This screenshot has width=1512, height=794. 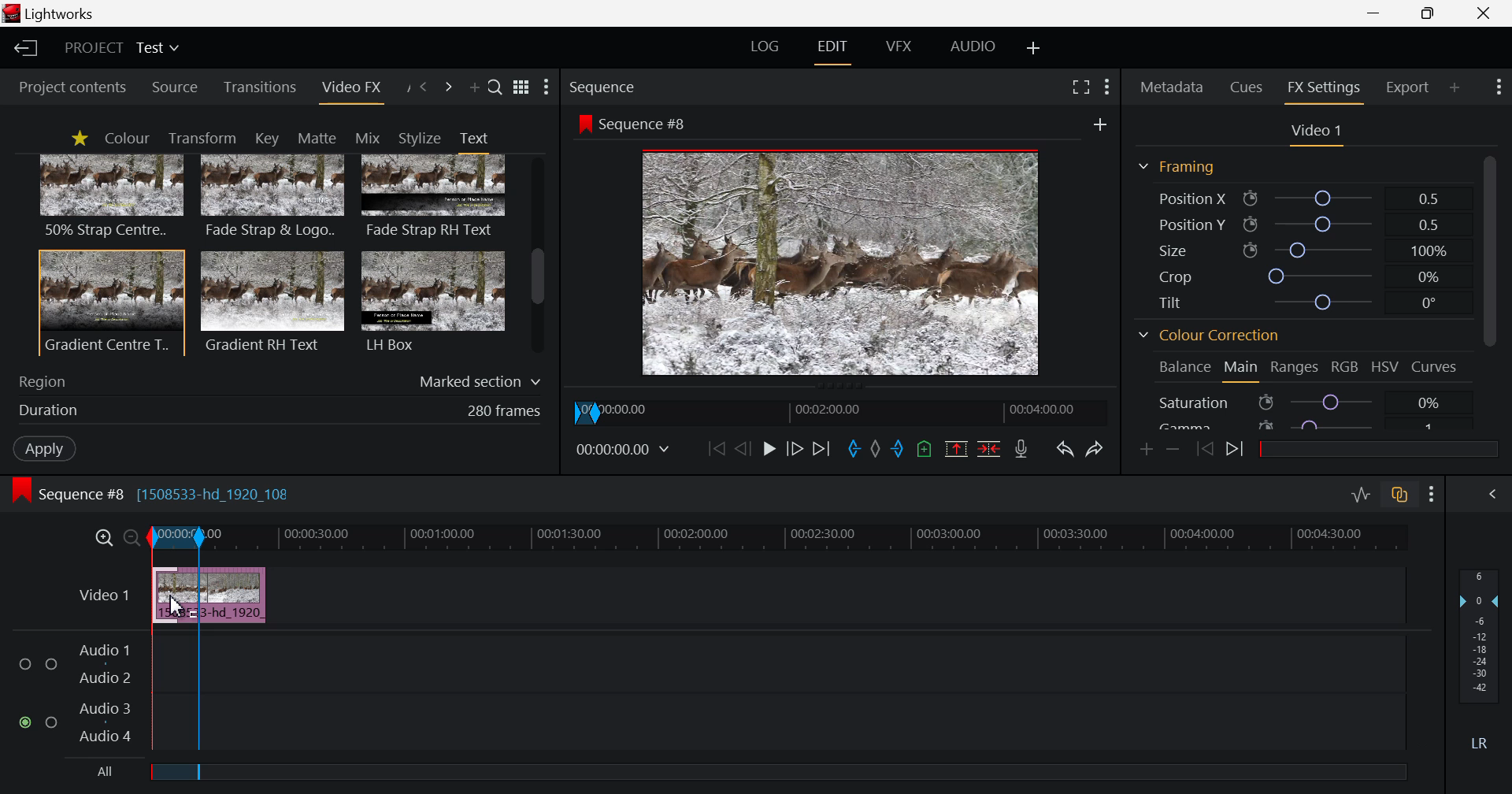 I want to click on Show Settings, so click(x=1496, y=87).